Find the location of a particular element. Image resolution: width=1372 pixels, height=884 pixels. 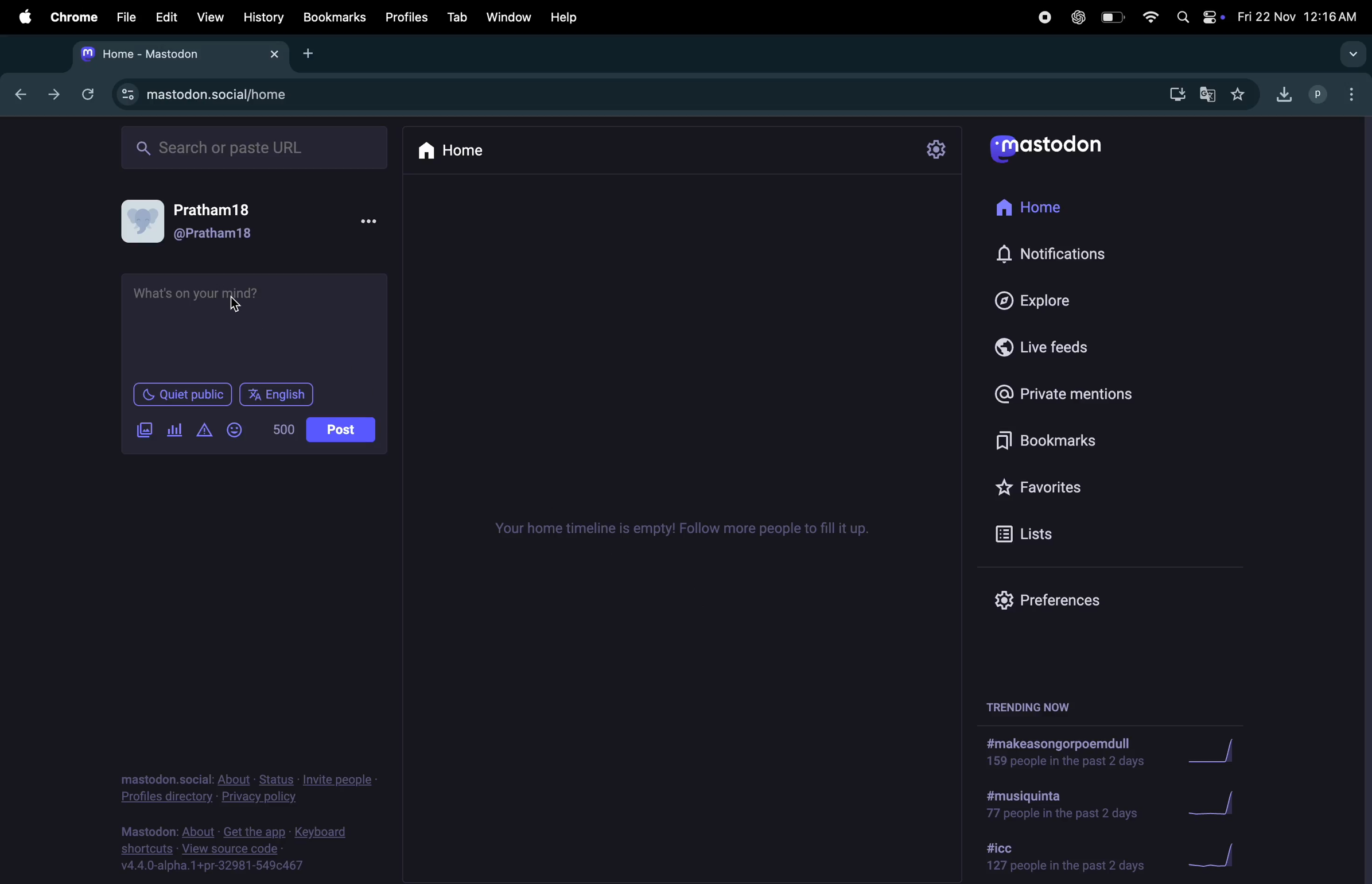

prefrence is located at coordinates (1057, 600).